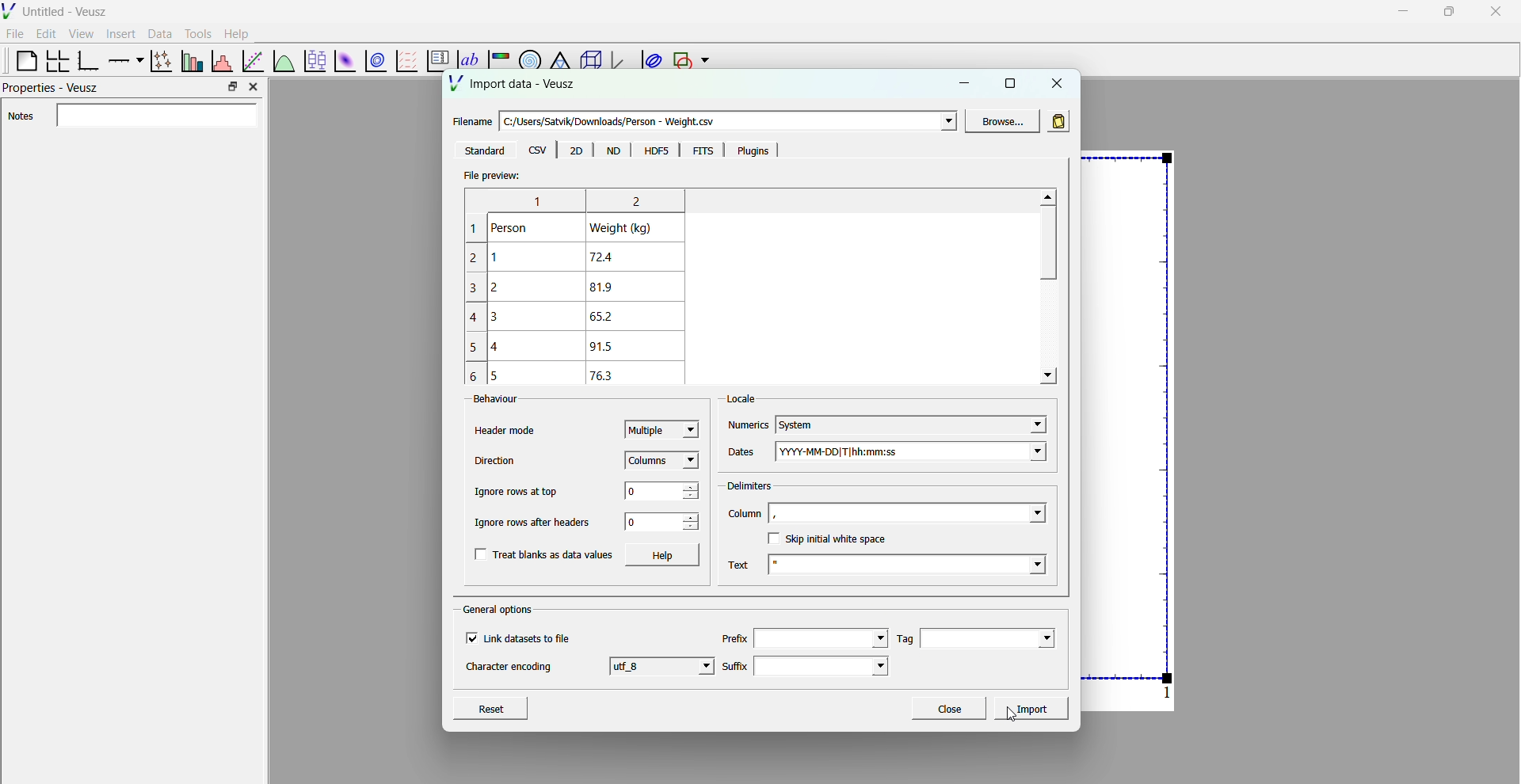 This screenshot has height=784, width=1521. What do you see at coordinates (904, 638) in the screenshot?
I see `Tag` at bounding box center [904, 638].